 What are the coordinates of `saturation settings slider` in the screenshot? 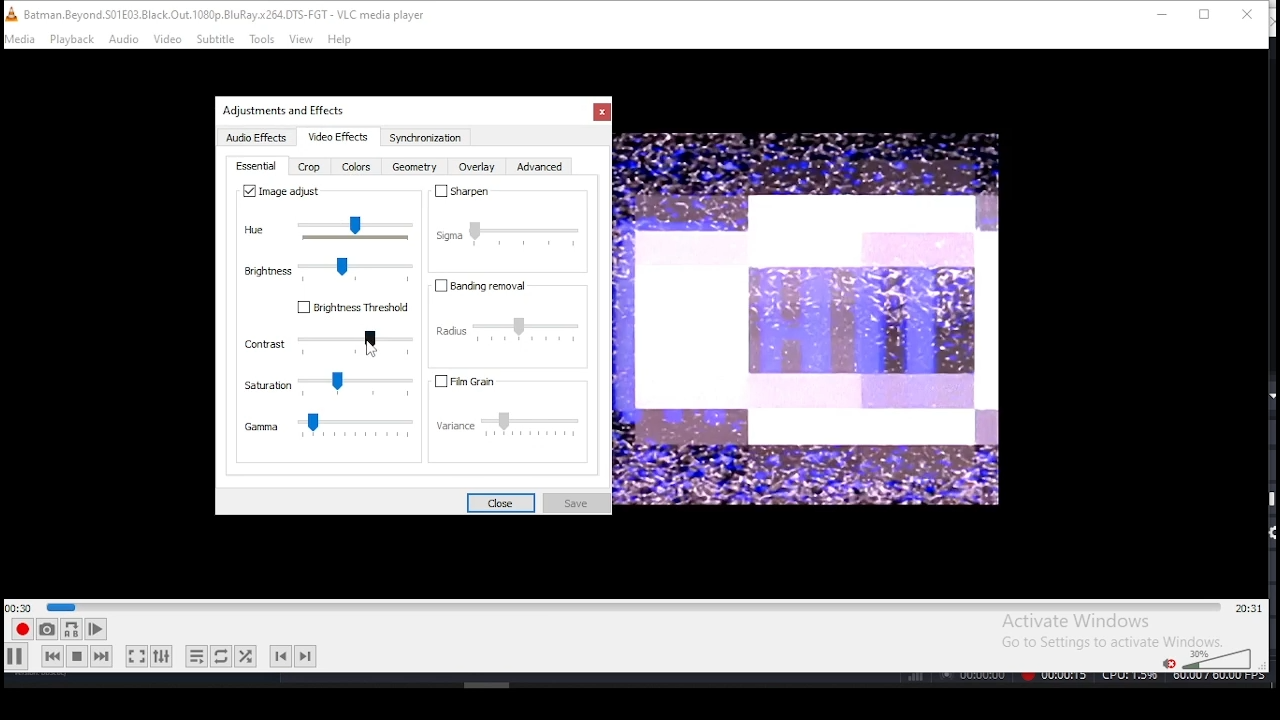 It's located at (328, 385).